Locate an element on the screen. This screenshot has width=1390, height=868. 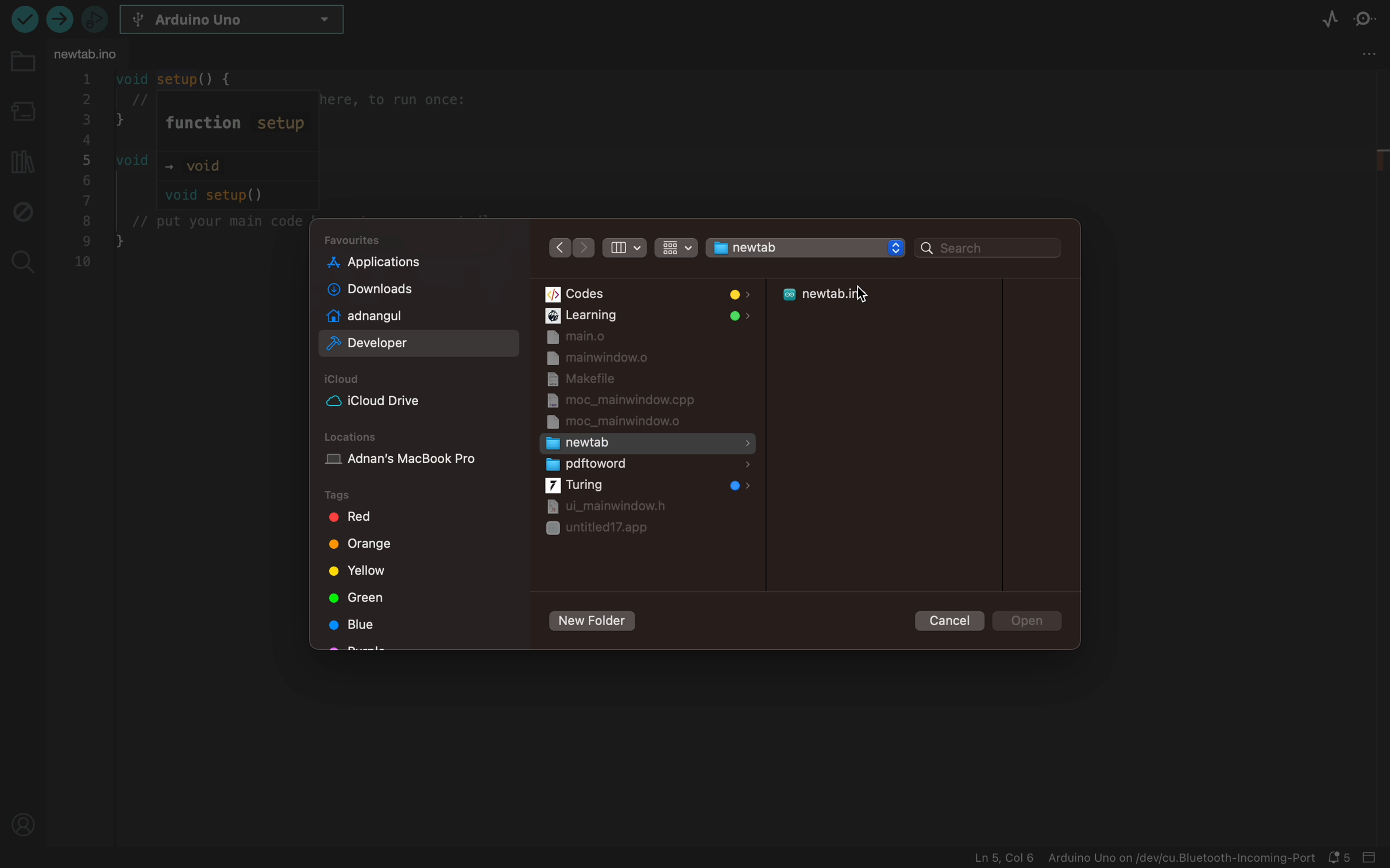
ui mainwindow is located at coordinates (602, 508).